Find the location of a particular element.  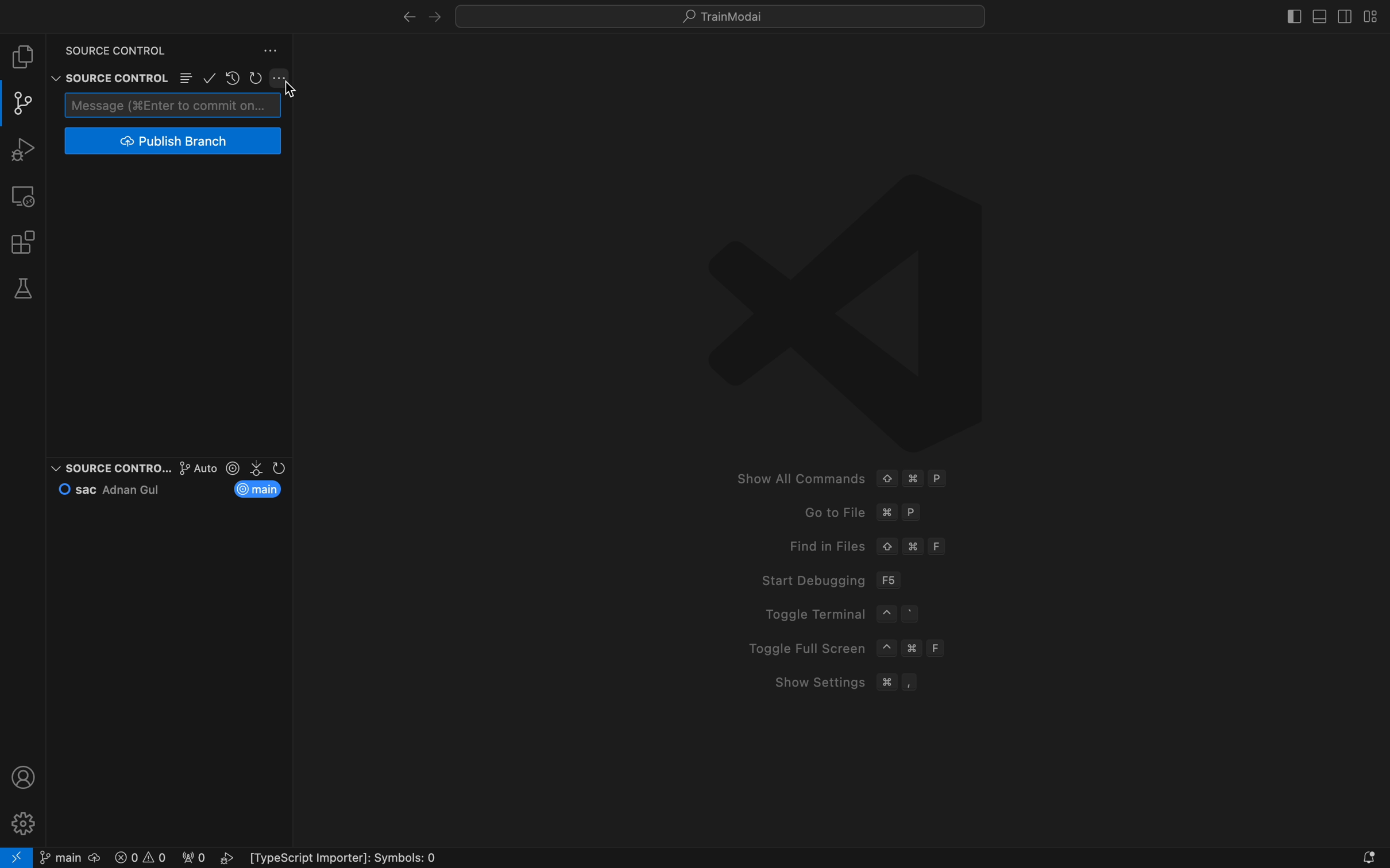

remote open is located at coordinates (17, 857).